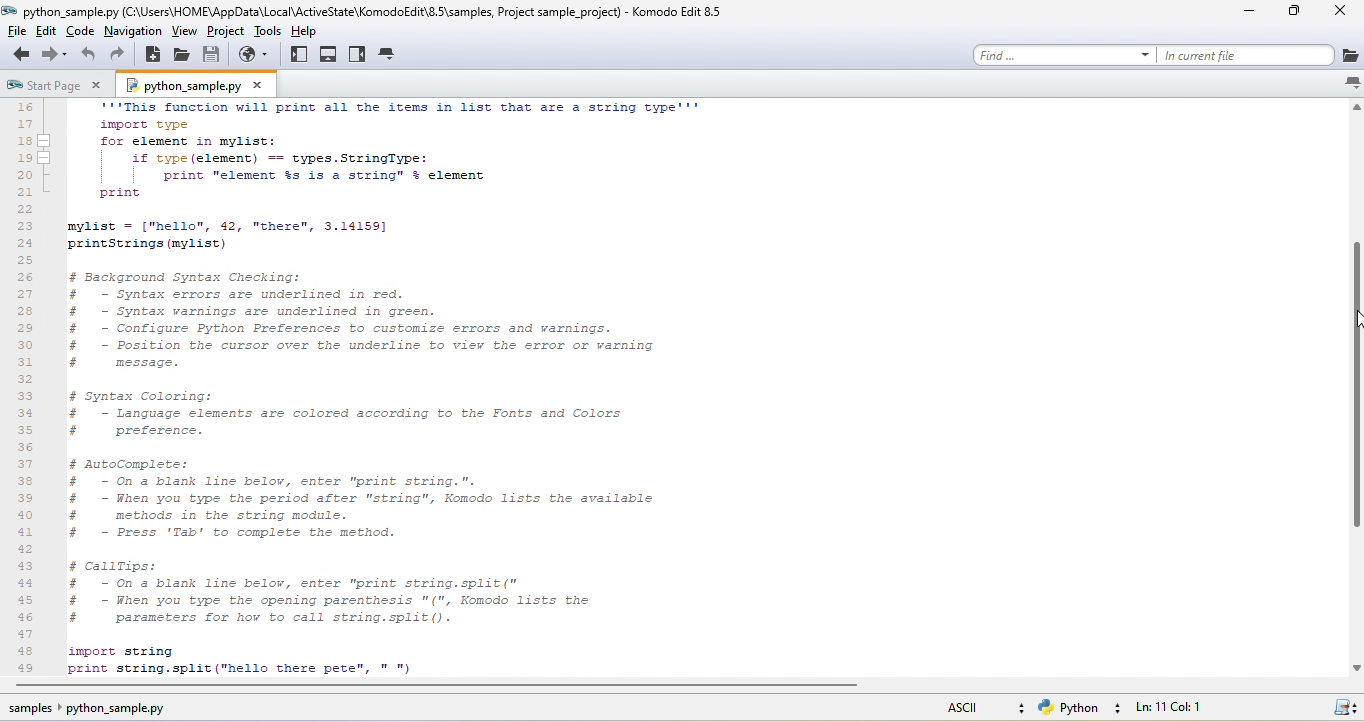 This screenshot has height=722, width=1364. Describe the element at coordinates (10, 11) in the screenshot. I see `app icon` at that location.